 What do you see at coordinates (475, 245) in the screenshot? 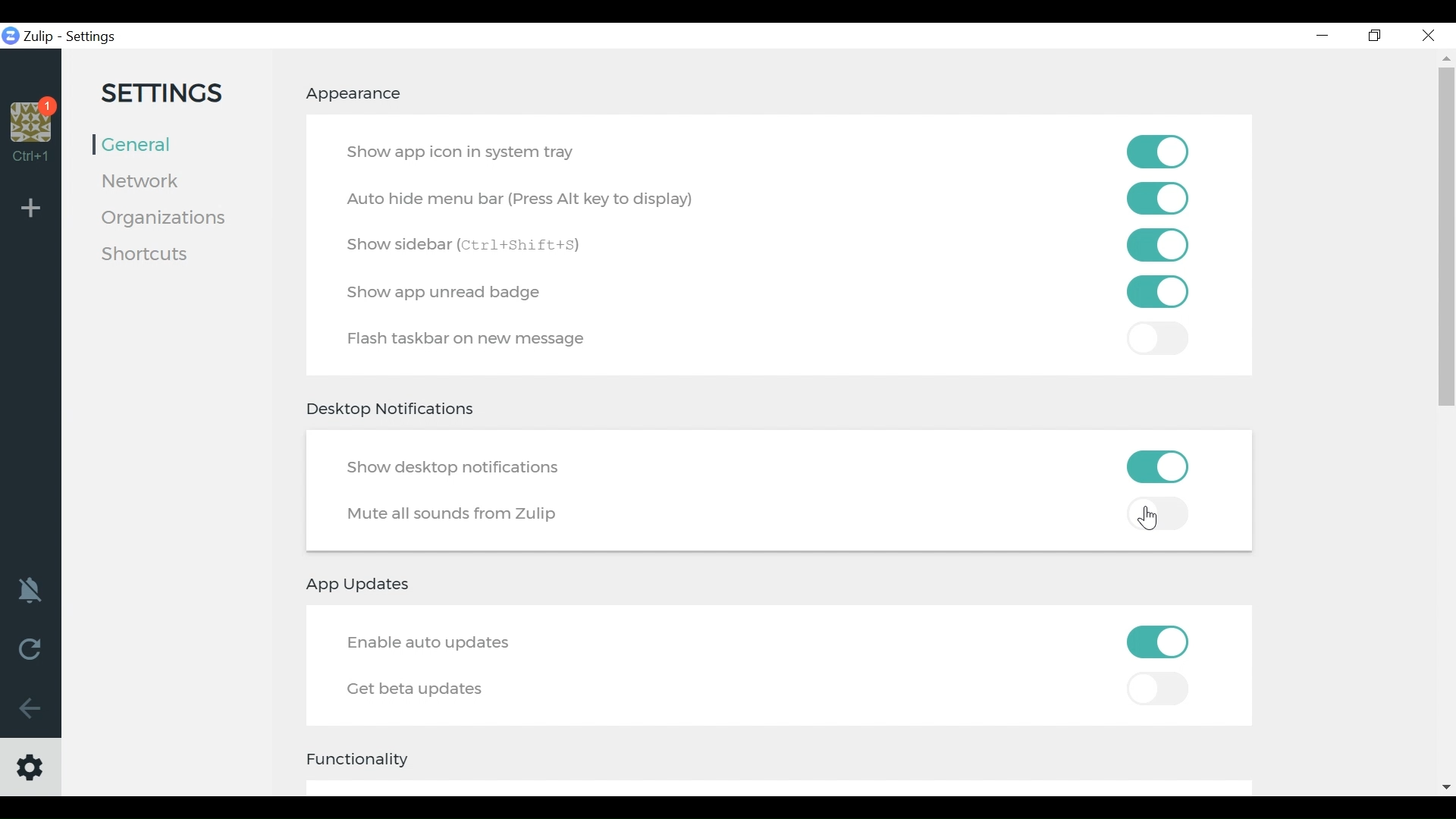
I see `Show Sidebar` at bounding box center [475, 245].